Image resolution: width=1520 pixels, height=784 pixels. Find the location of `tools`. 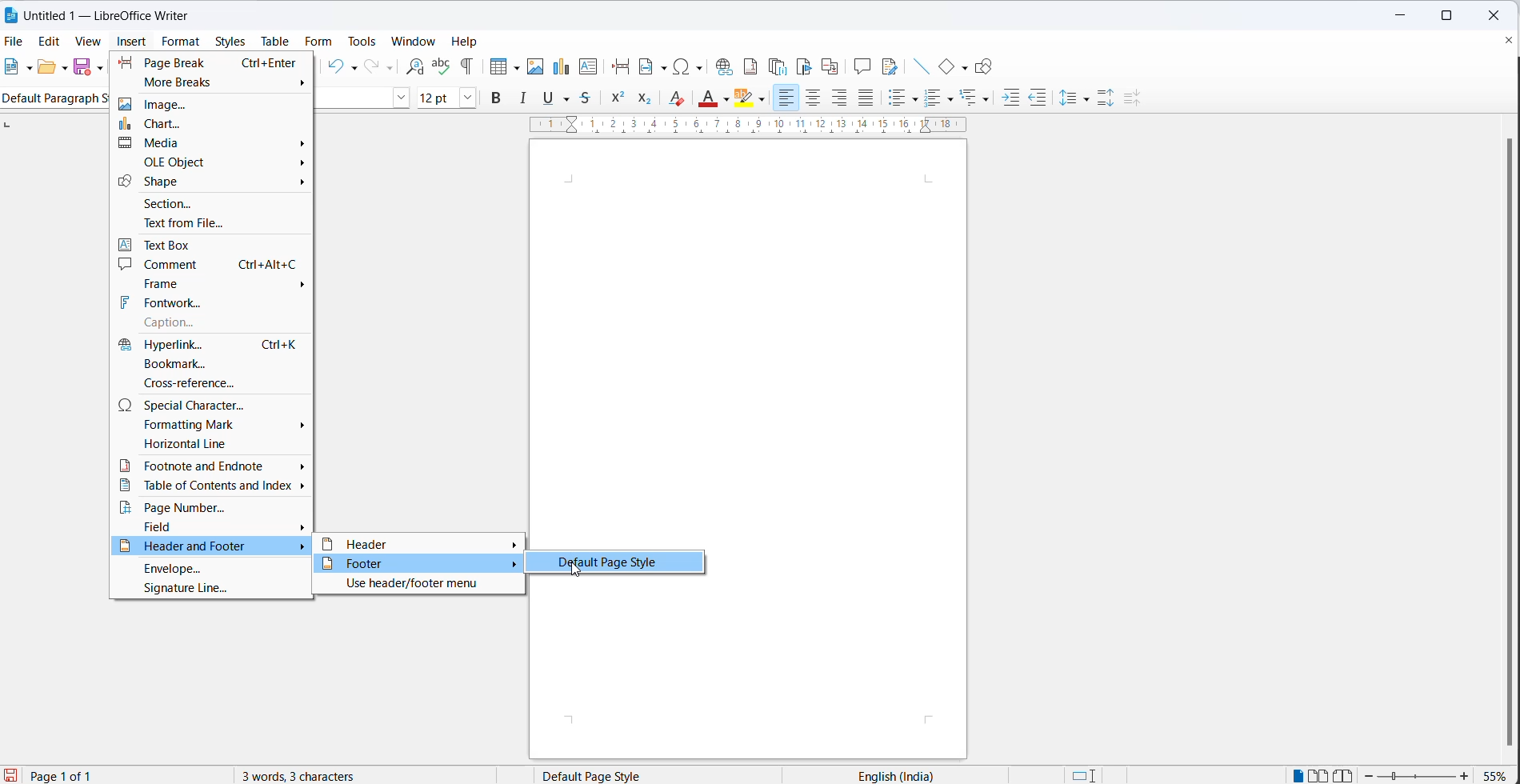

tools is located at coordinates (360, 40).